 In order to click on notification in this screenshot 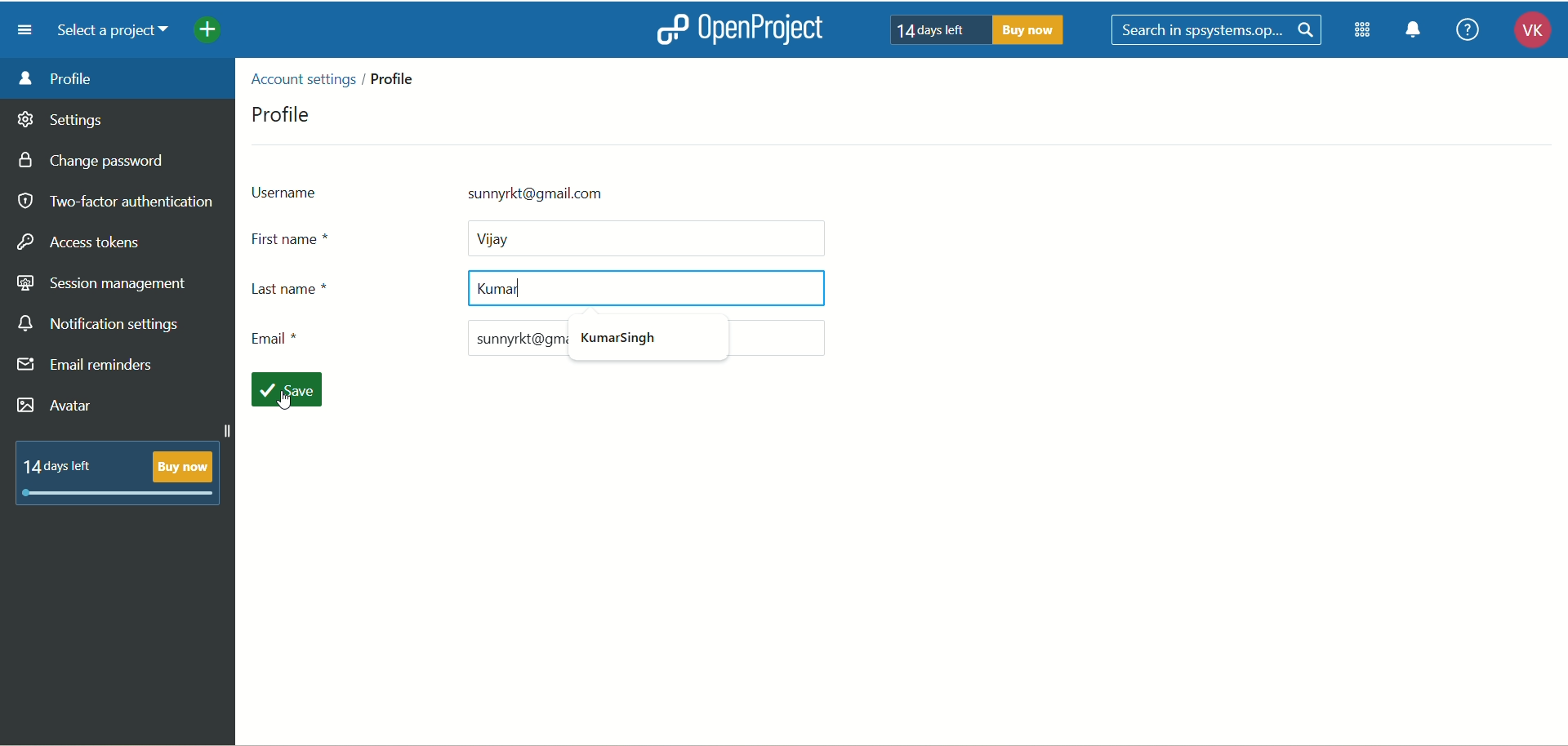, I will do `click(1419, 33)`.